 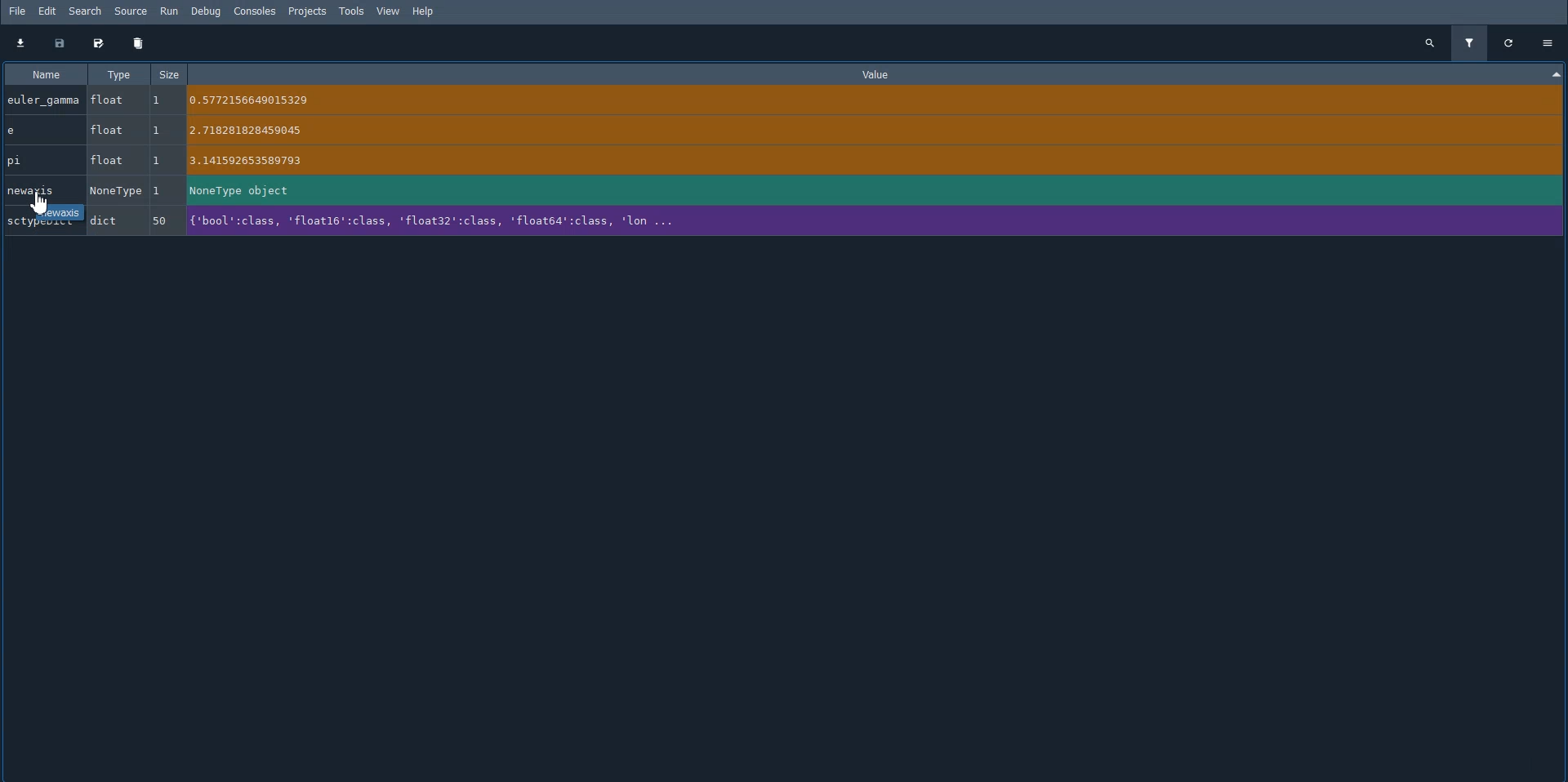 What do you see at coordinates (170, 11) in the screenshot?
I see `Run` at bounding box center [170, 11].